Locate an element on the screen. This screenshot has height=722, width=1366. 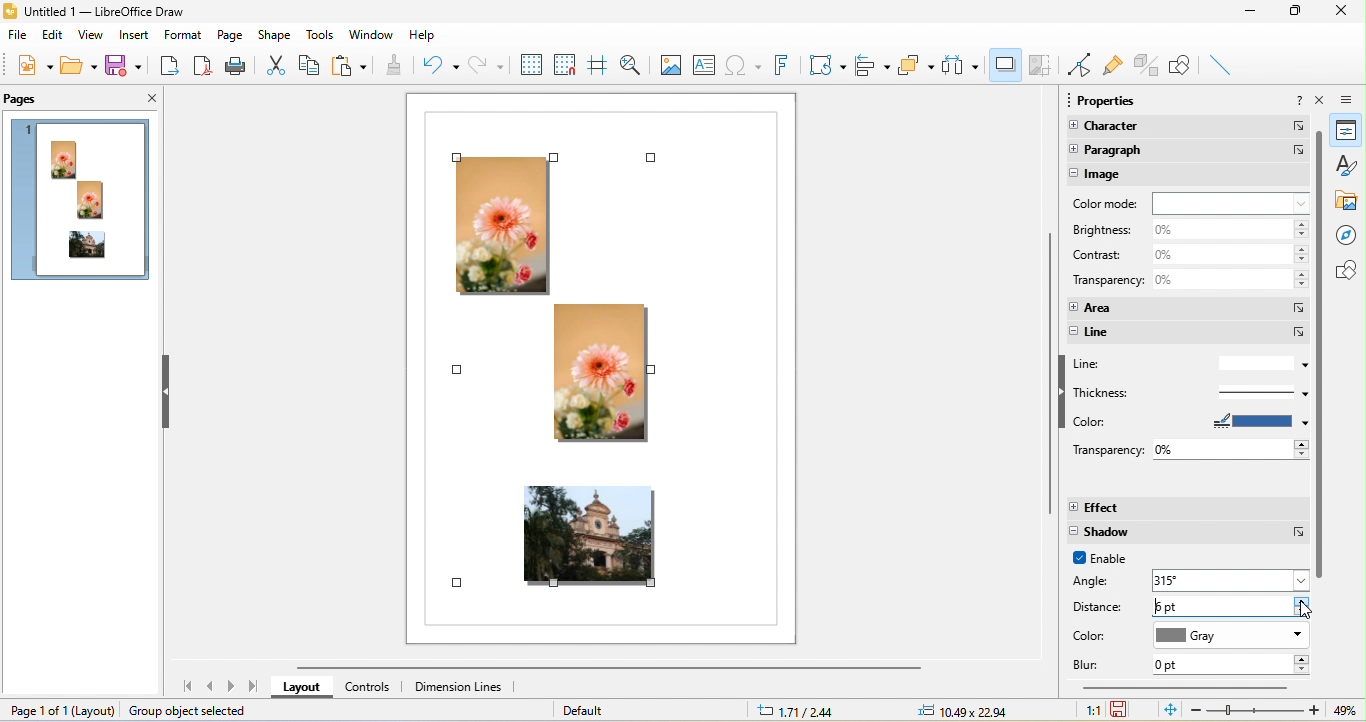
transparency 0% is located at coordinates (1187, 283).